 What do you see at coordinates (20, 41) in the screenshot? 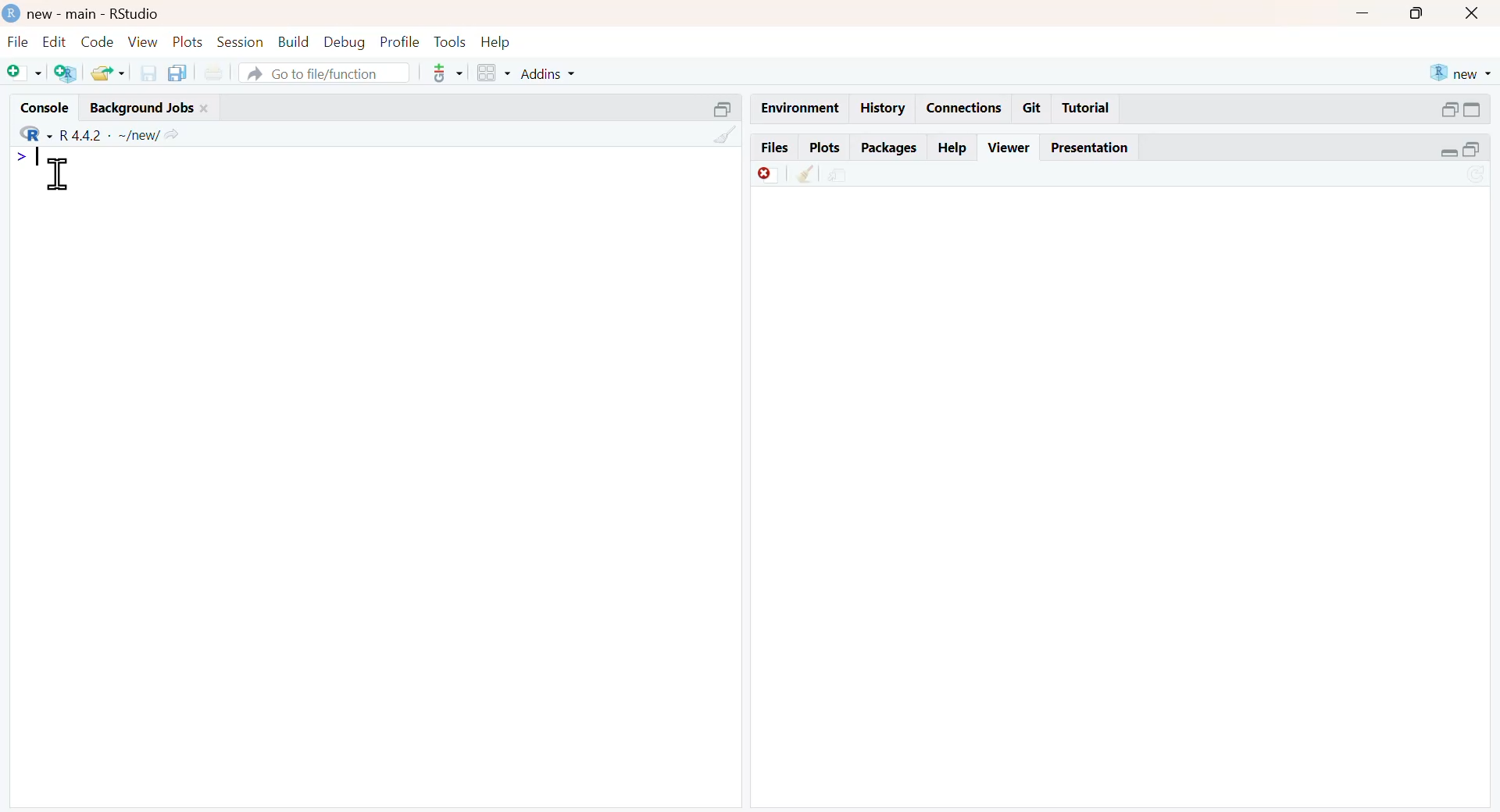
I see `file` at bounding box center [20, 41].